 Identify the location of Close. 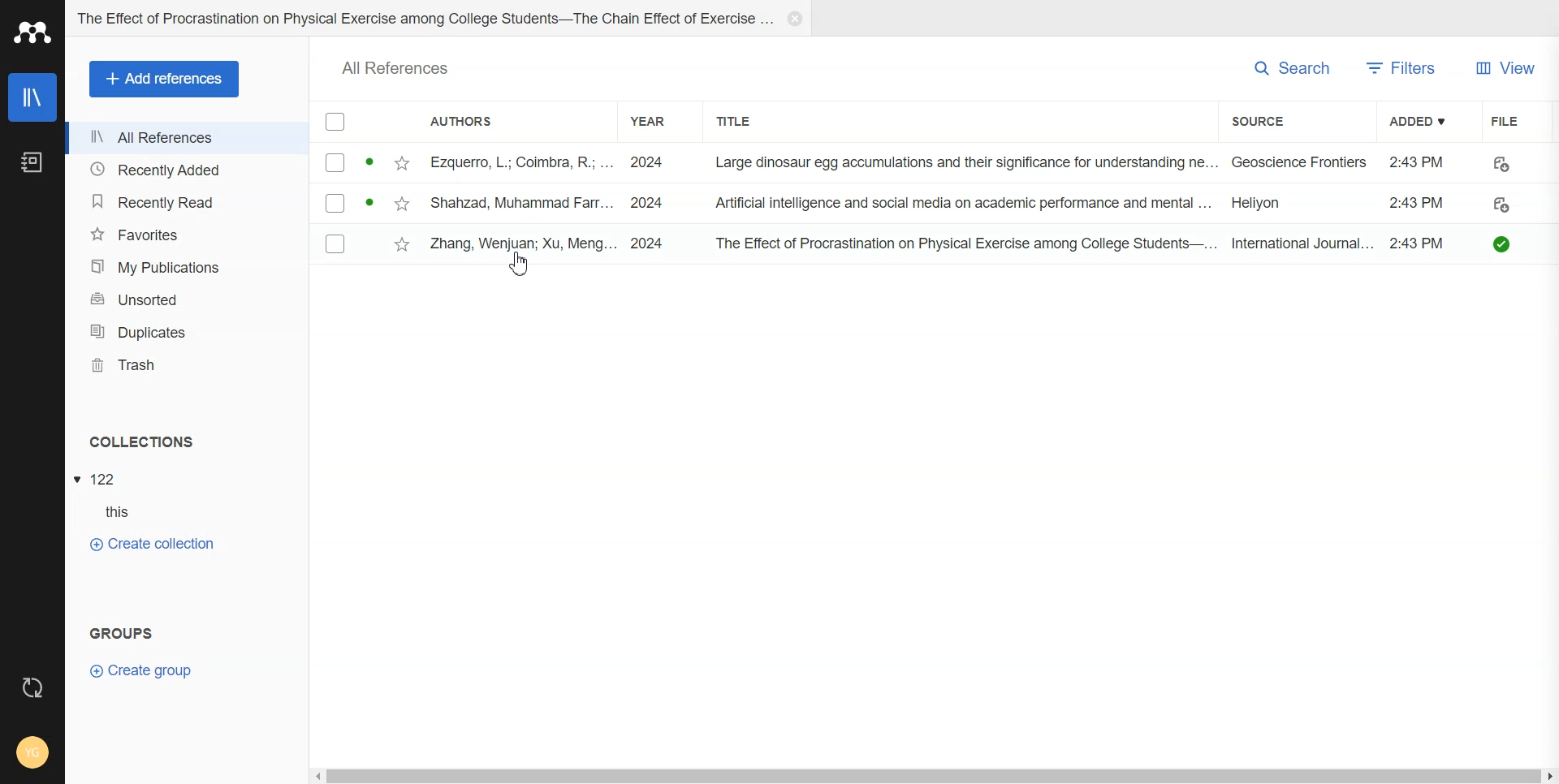
(792, 19).